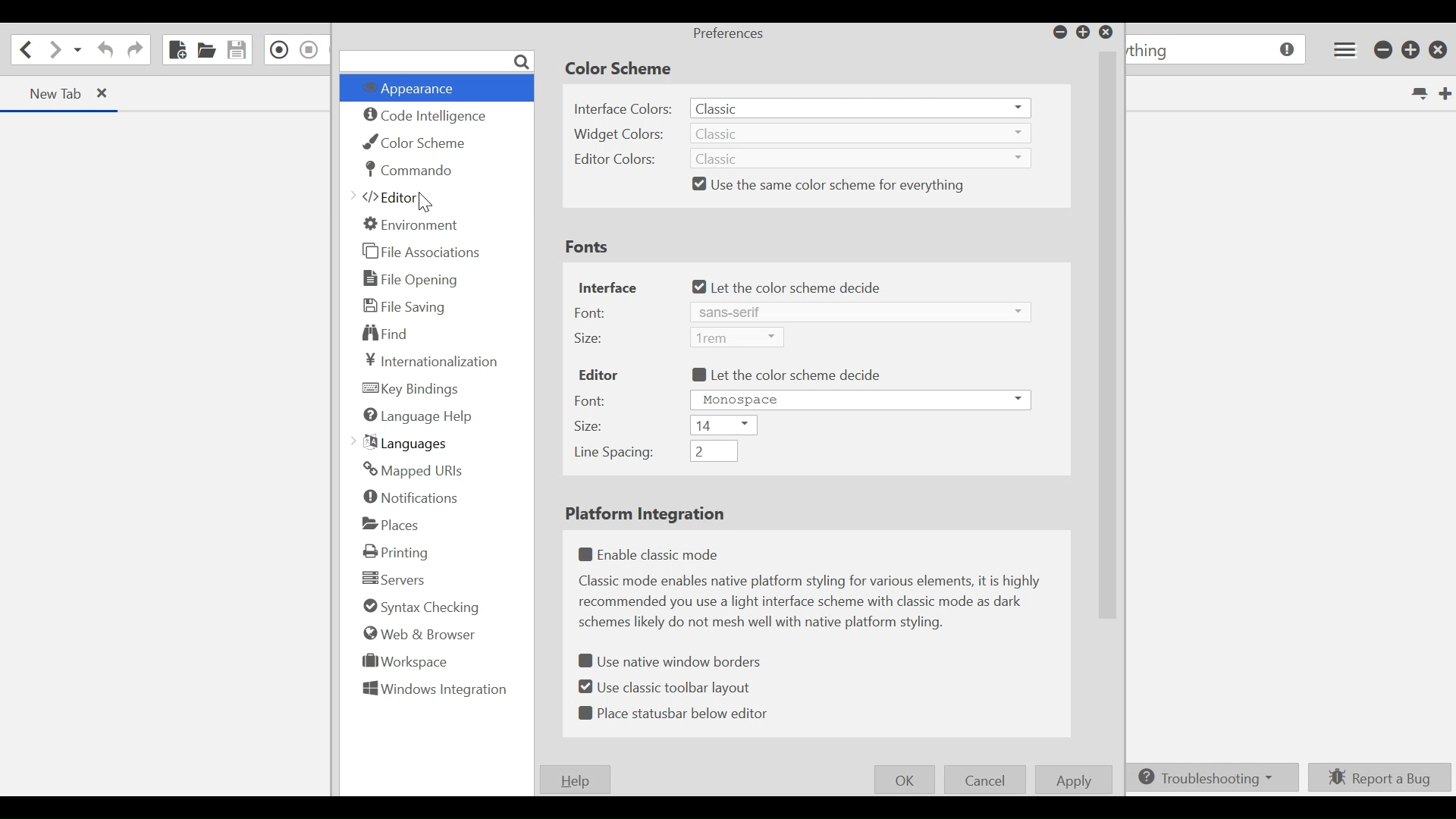  What do you see at coordinates (861, 133) in the screenshot?
I see `classic` at bounding box center [861, 133].